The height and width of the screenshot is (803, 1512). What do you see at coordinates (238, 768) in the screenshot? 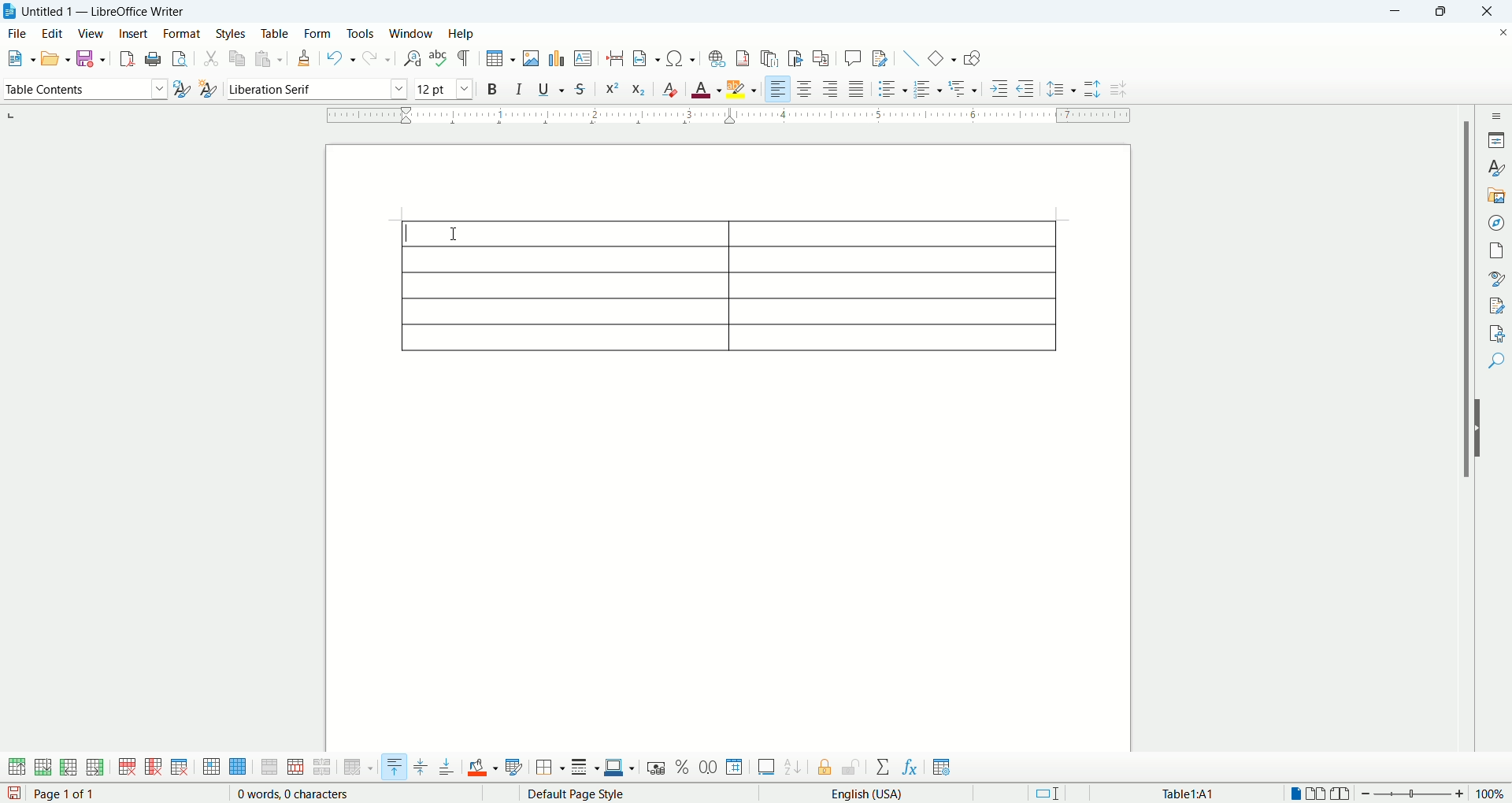
I see `select table` at bounding box center [238, 768].